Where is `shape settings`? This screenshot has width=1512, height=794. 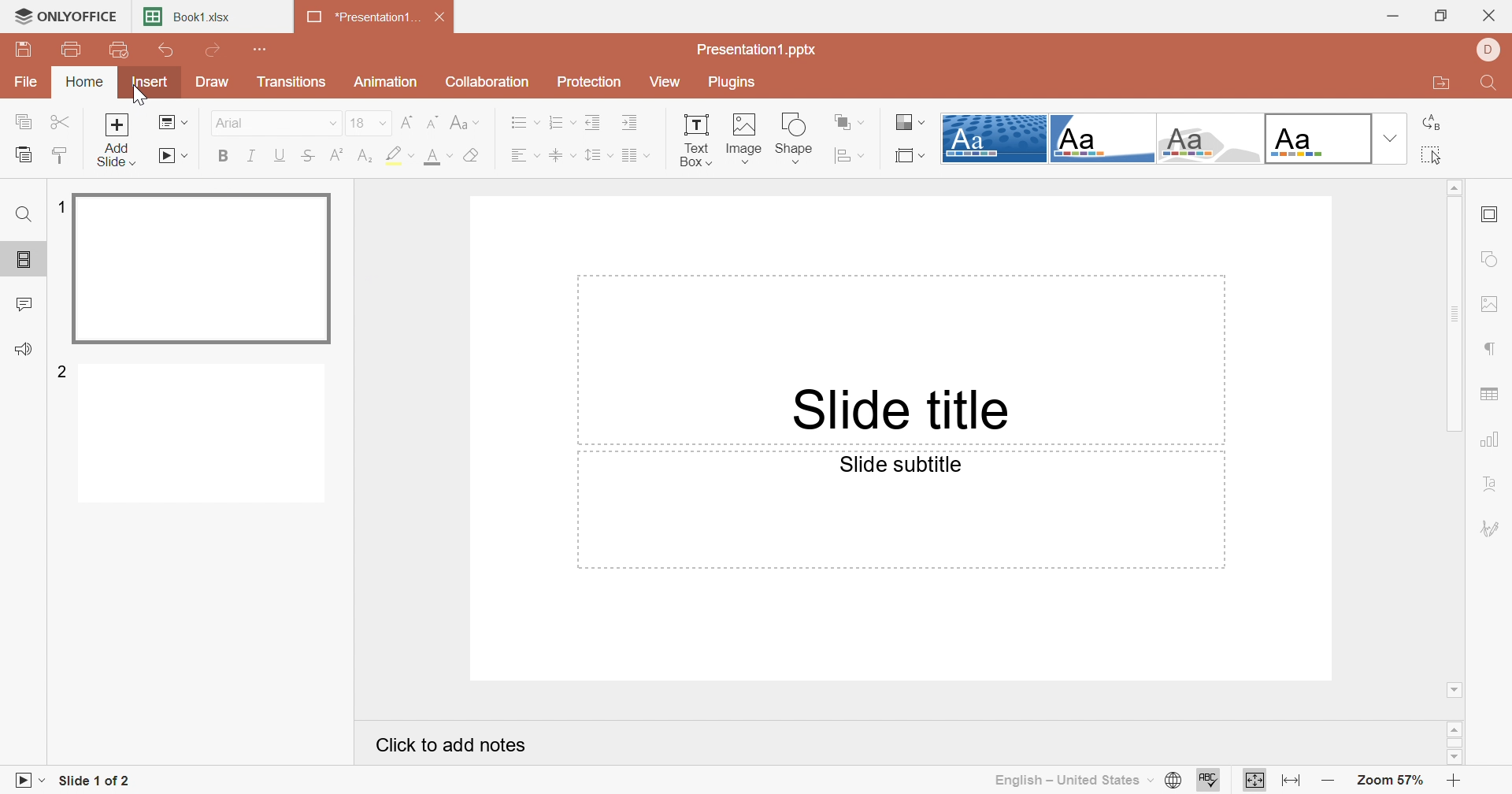
shape settings is located at coordinates (1496, 261).